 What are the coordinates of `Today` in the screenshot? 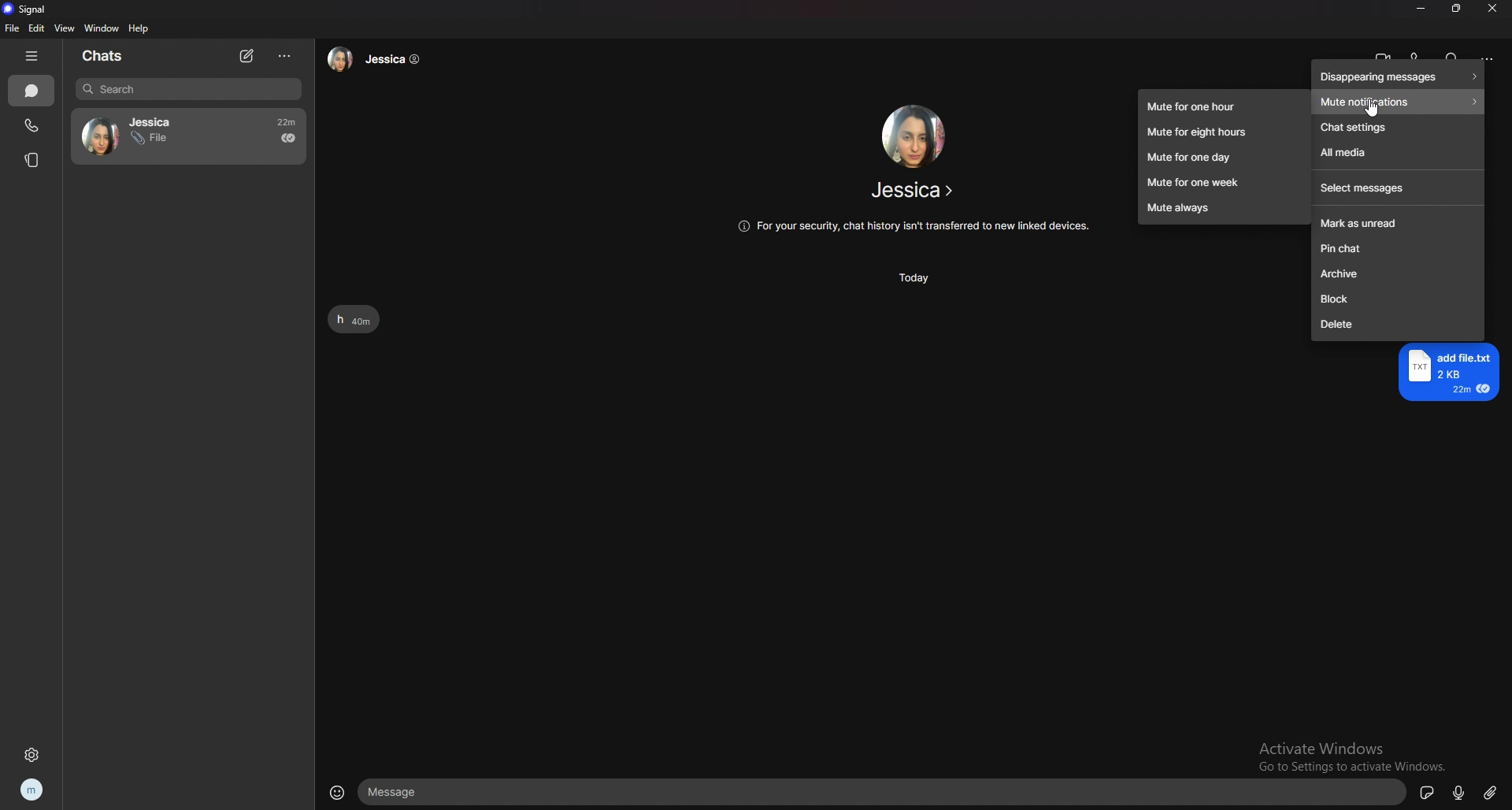 It's located at (917, 277).